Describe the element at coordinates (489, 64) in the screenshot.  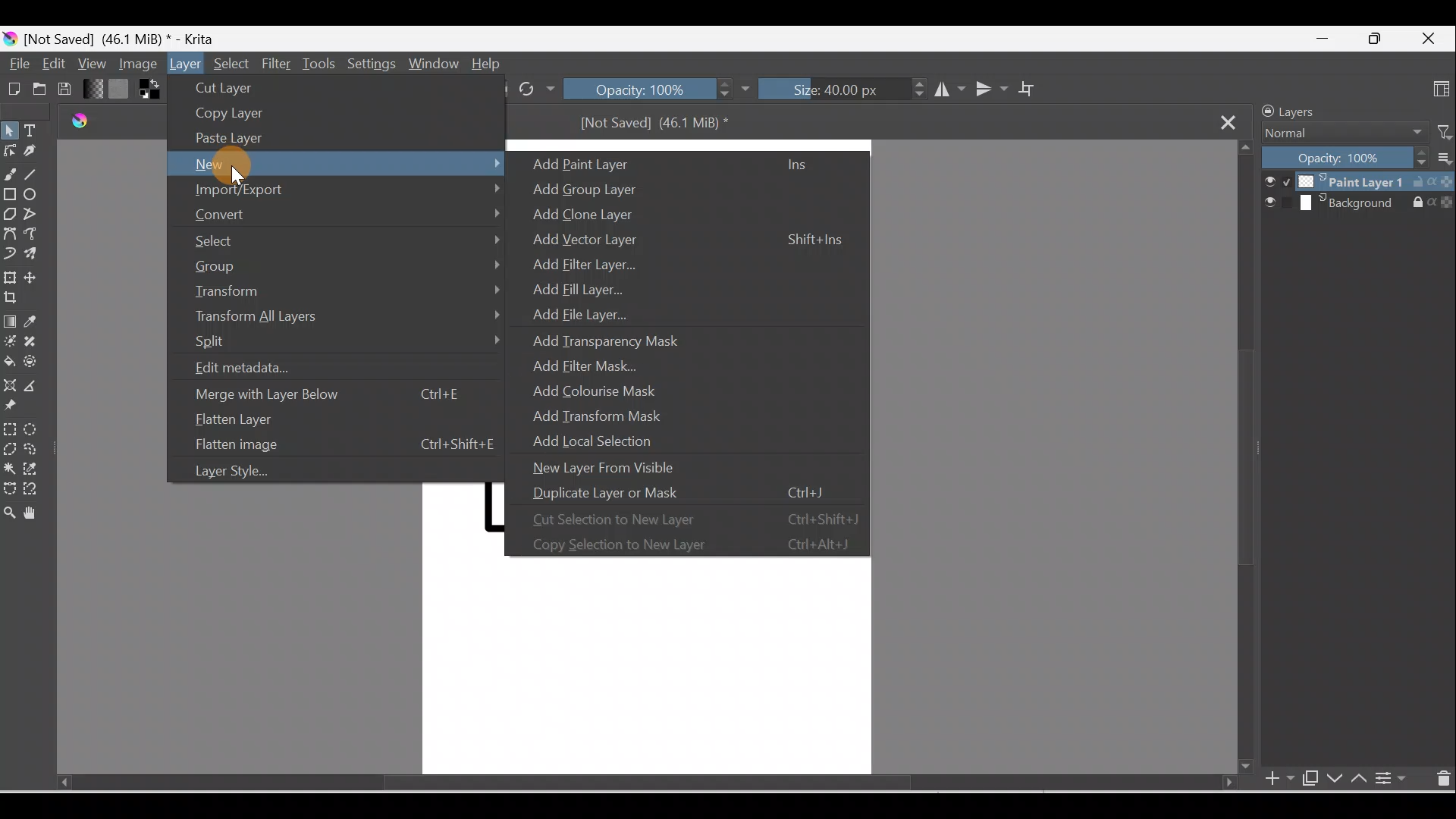
I see `Help` at that location.